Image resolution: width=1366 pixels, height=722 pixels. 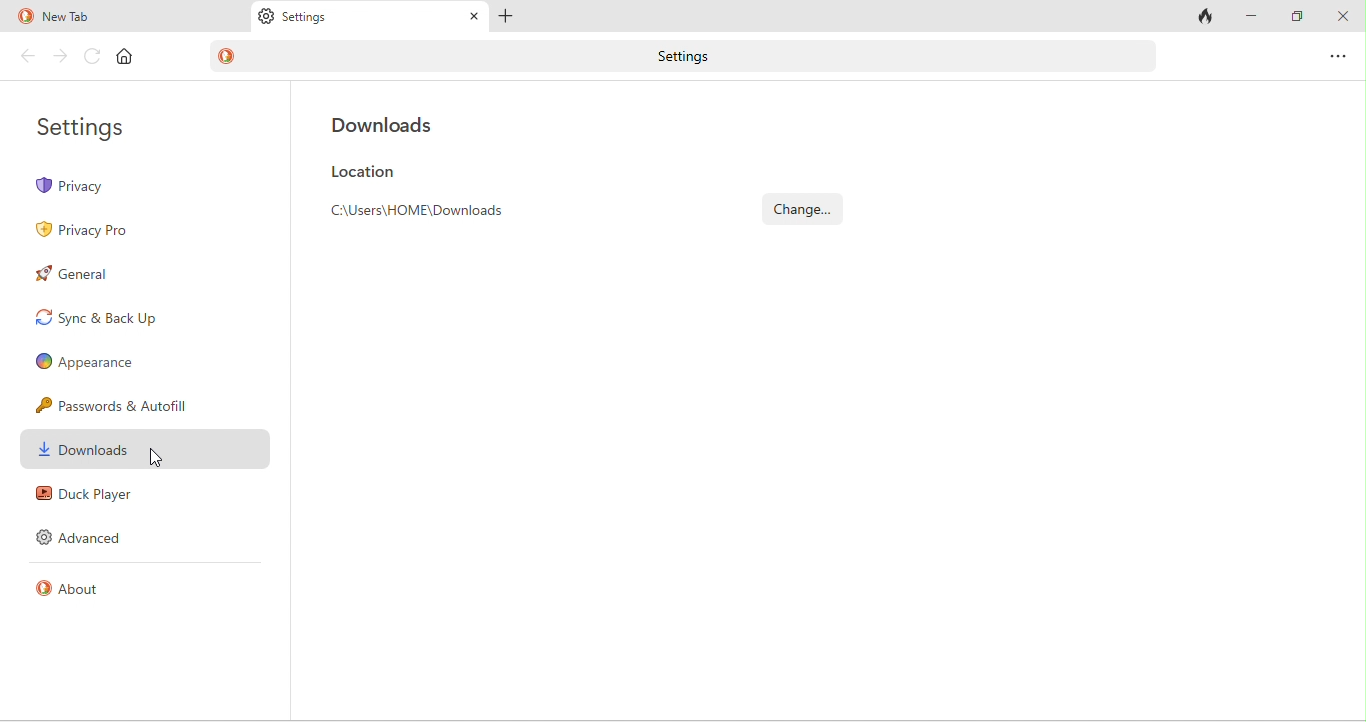 I want to click on advanced, so click(x=82, y=538).